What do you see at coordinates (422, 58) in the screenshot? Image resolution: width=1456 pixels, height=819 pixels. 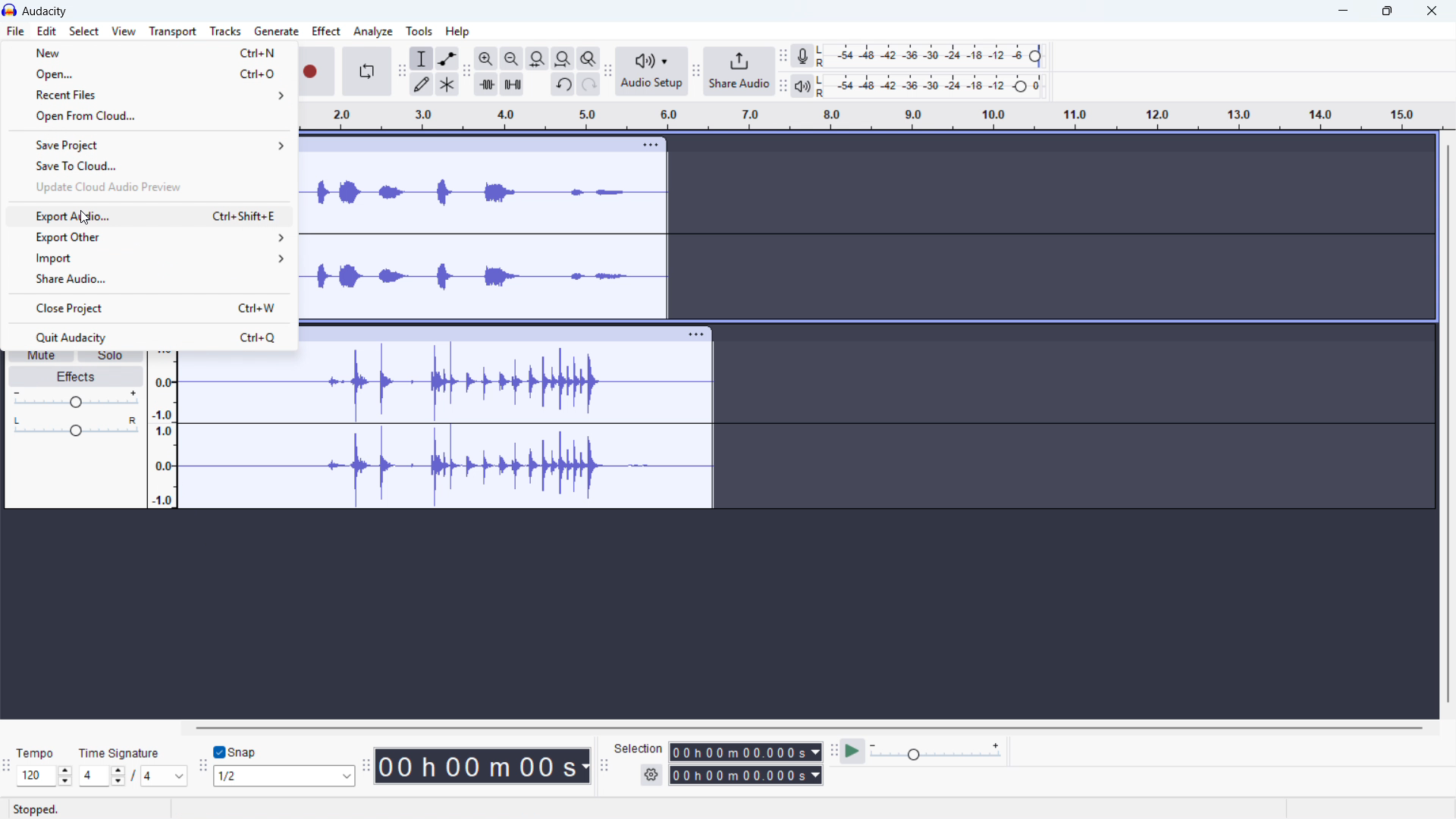 I see `Selection tool` at bounding box center [422, 58].